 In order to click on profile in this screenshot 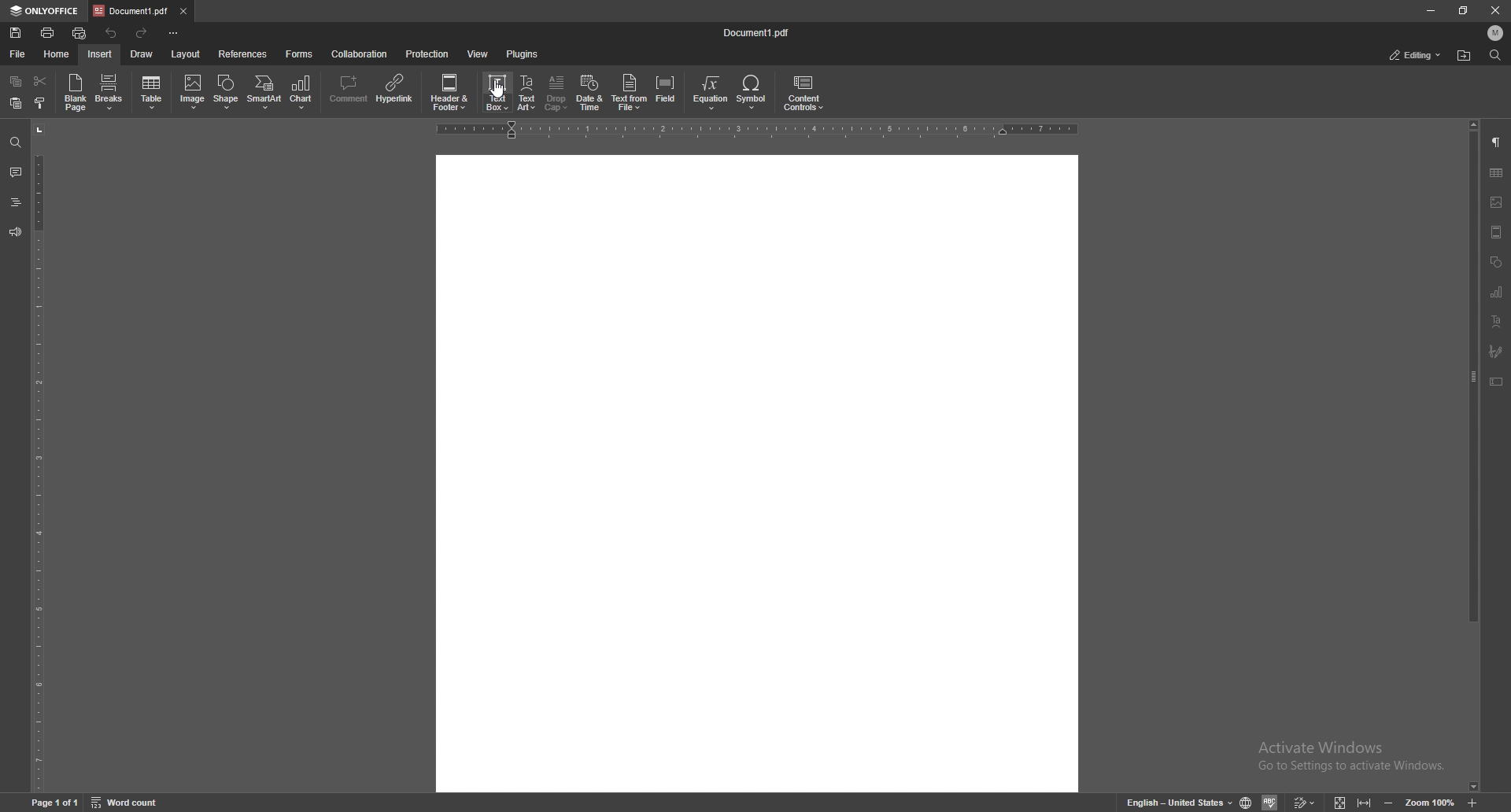, I will do `click(1496, 33)`.